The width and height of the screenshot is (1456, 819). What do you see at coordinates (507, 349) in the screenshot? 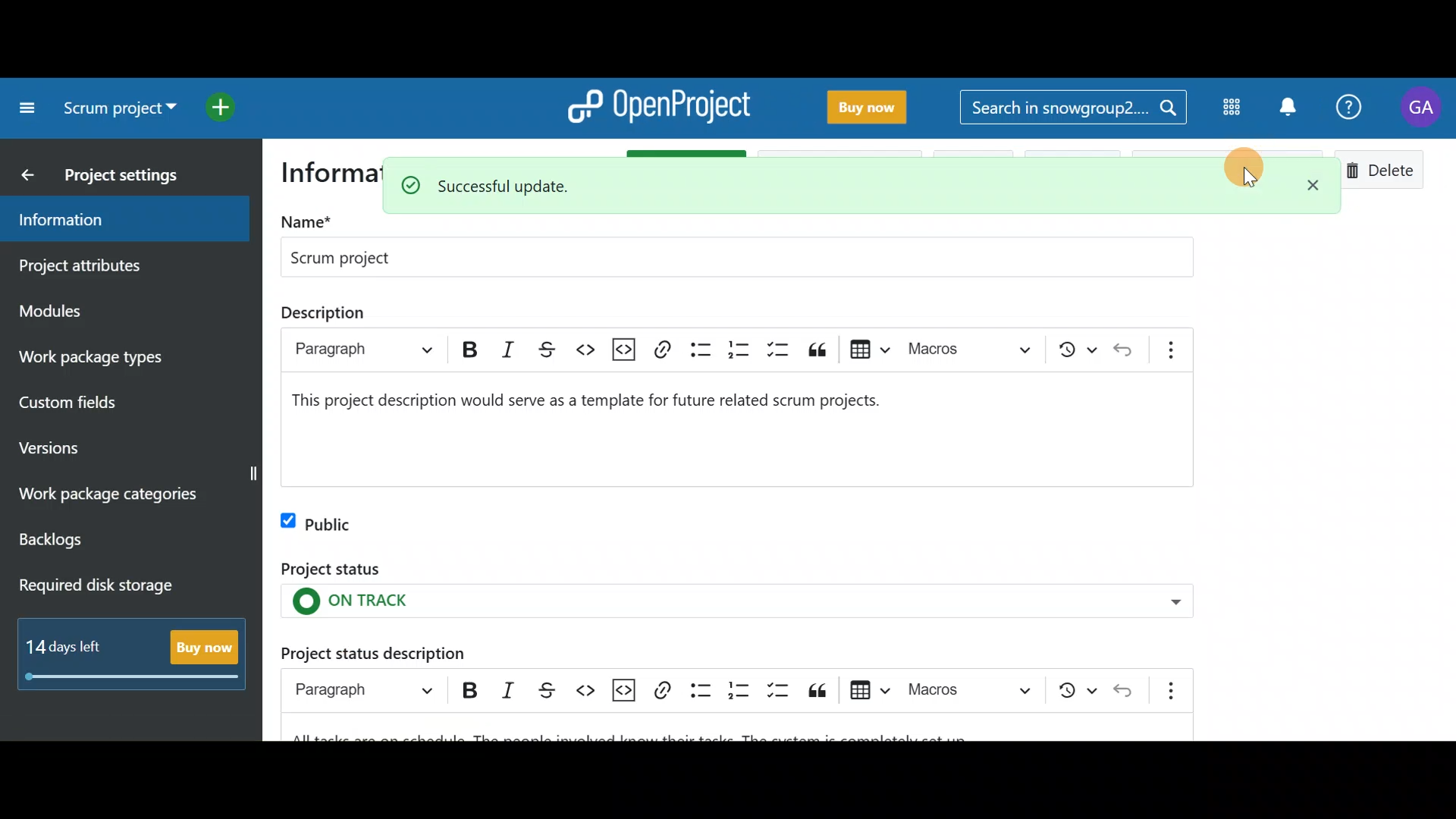
I see `italic` at bounding box center [507, 349].